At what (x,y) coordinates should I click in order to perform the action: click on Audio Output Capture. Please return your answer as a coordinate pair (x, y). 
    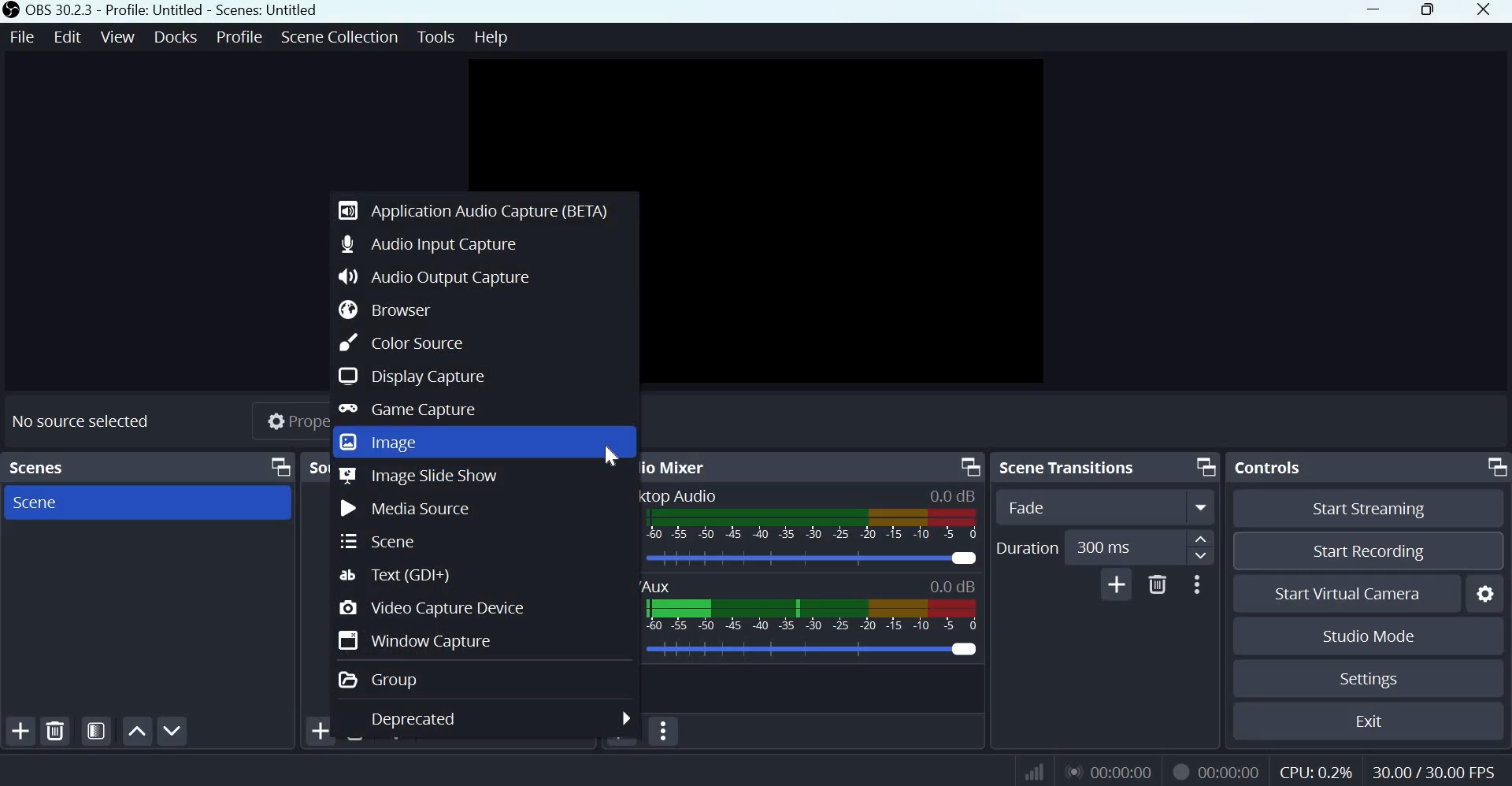
    Looking at the image, I should click on (435, 276).